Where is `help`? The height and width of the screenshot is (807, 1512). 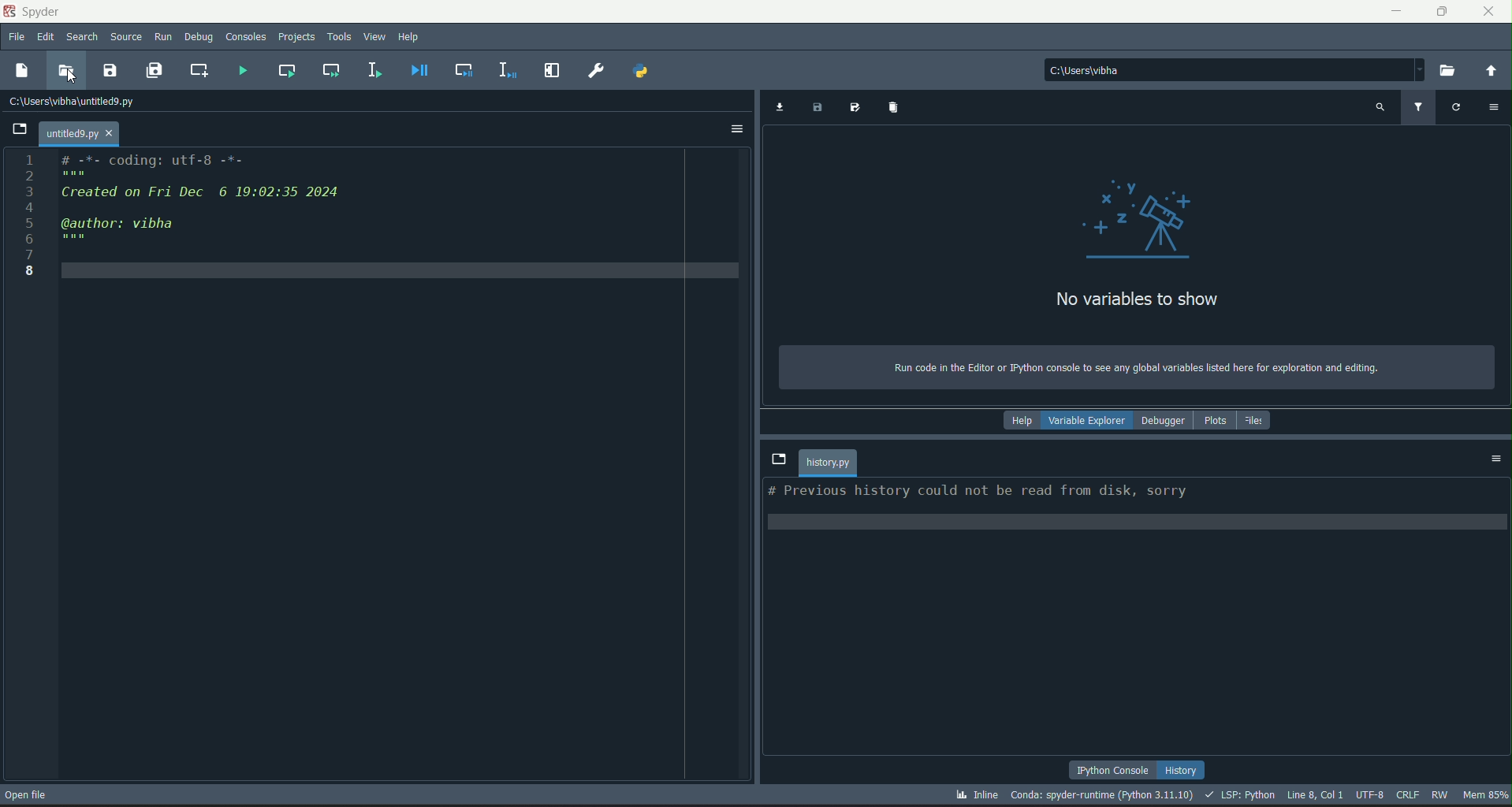 help is located at coordinates (416, 37).